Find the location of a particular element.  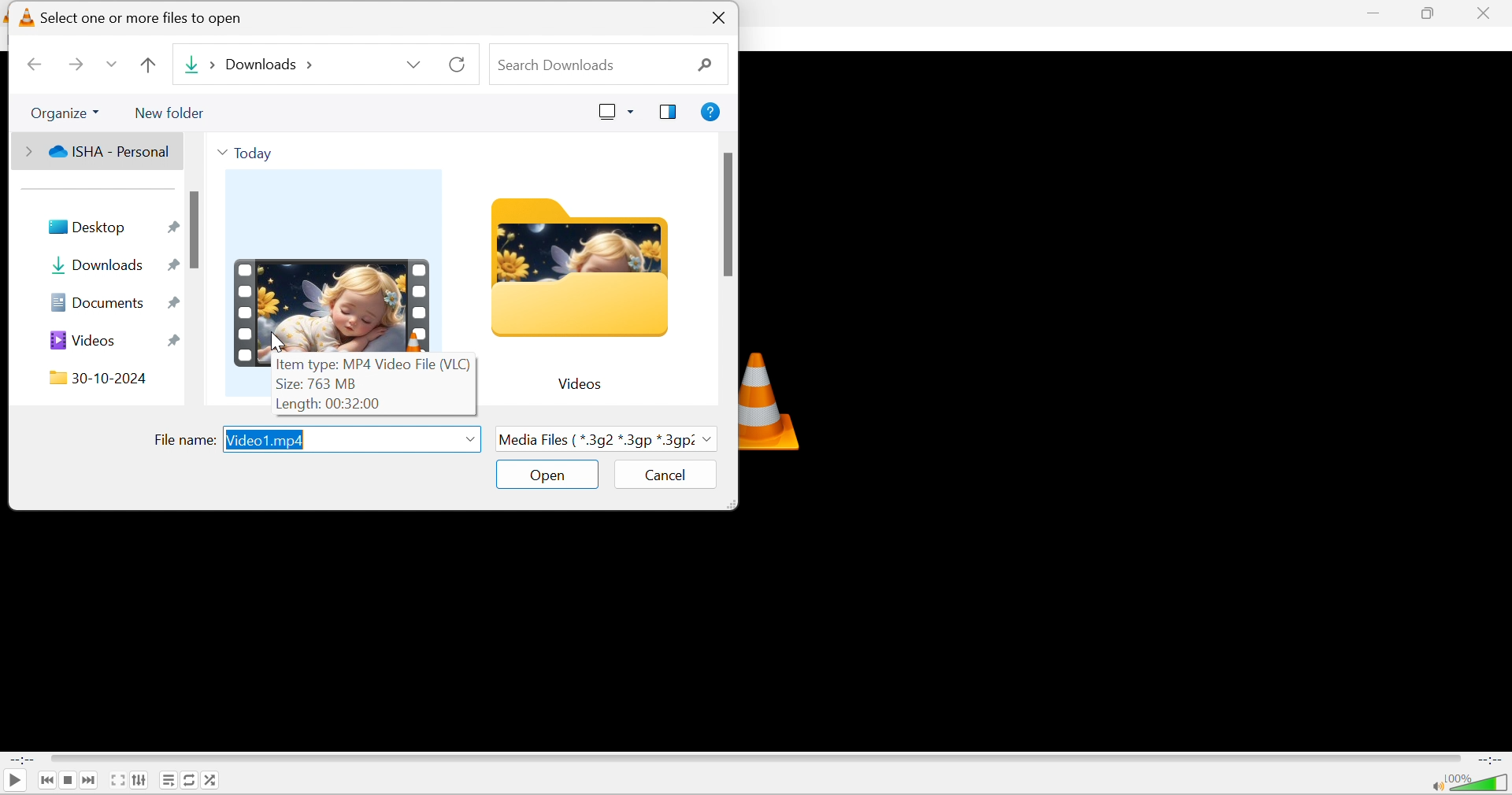

Cursor is located at coordinates (280, 339).